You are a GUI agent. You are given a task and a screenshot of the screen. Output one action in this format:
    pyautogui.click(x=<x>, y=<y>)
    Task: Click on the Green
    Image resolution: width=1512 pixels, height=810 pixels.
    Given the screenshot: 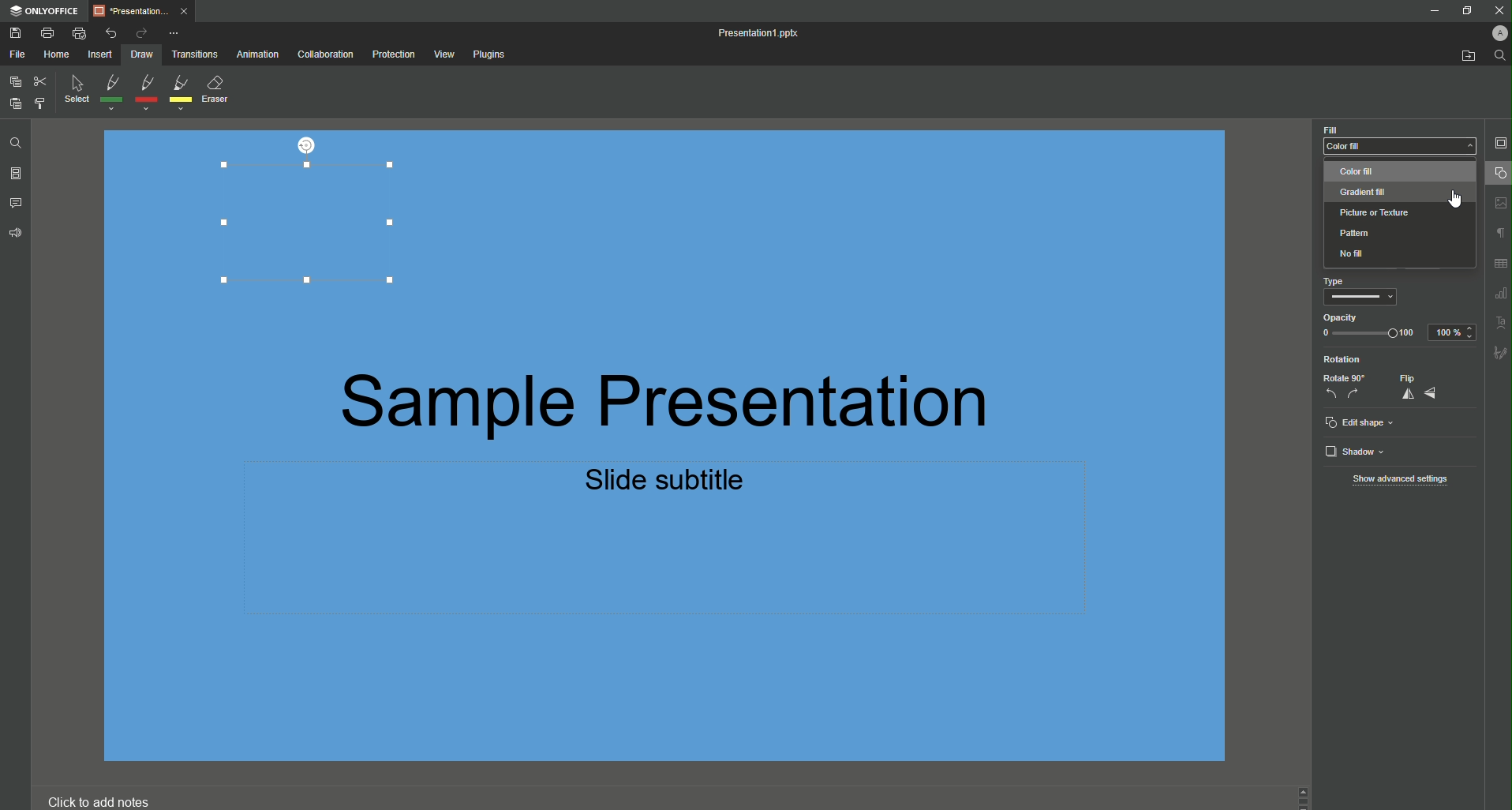 What is the action you would take?
    pyautogui.click(x=111, y=94)
    